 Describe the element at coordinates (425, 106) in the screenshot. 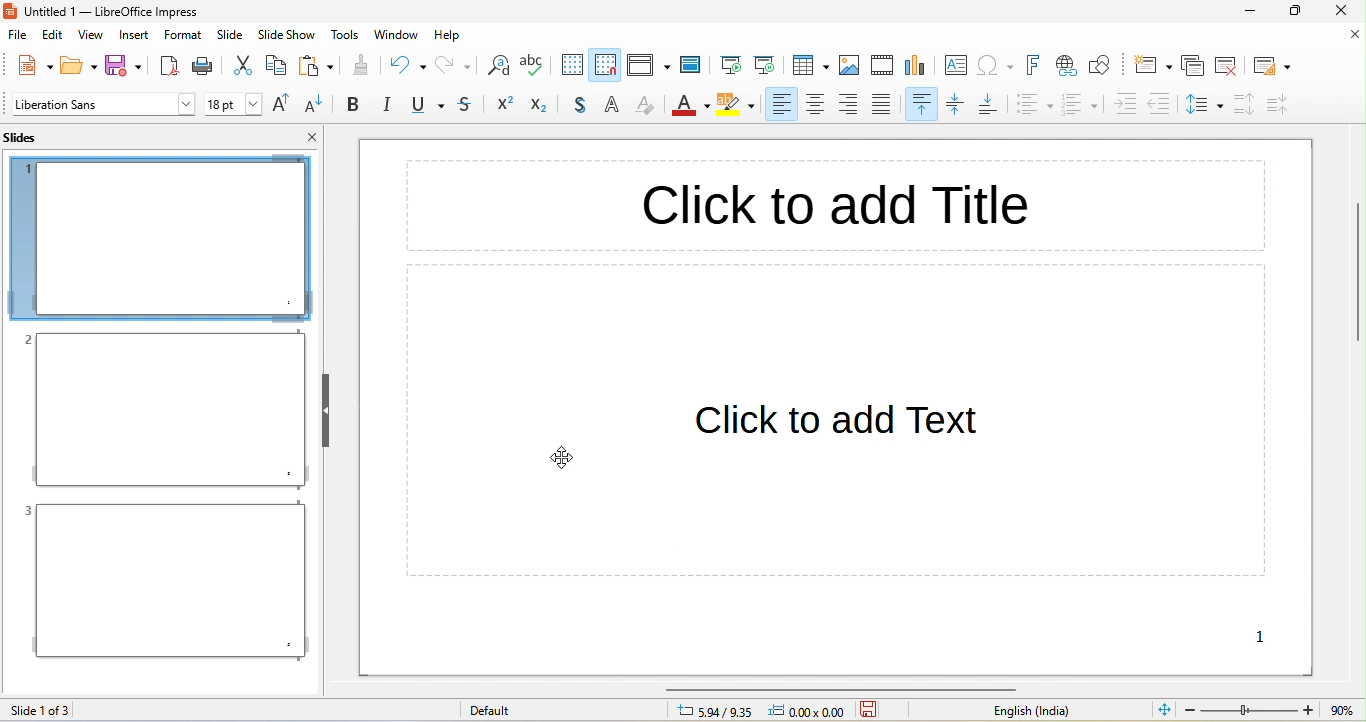

I see `underline` at that location.